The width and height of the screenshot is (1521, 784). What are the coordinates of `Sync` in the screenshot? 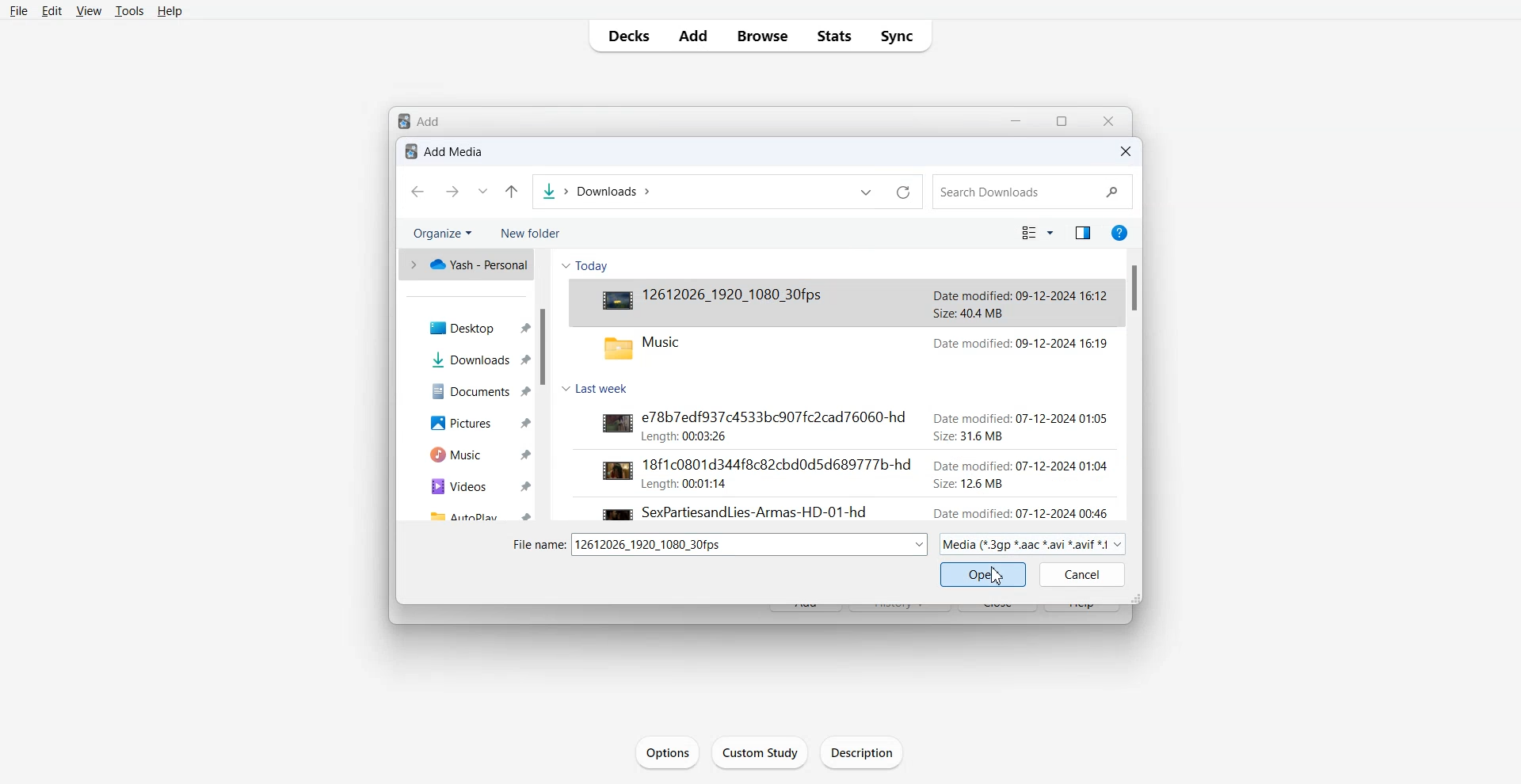 It's located at (898, 36).